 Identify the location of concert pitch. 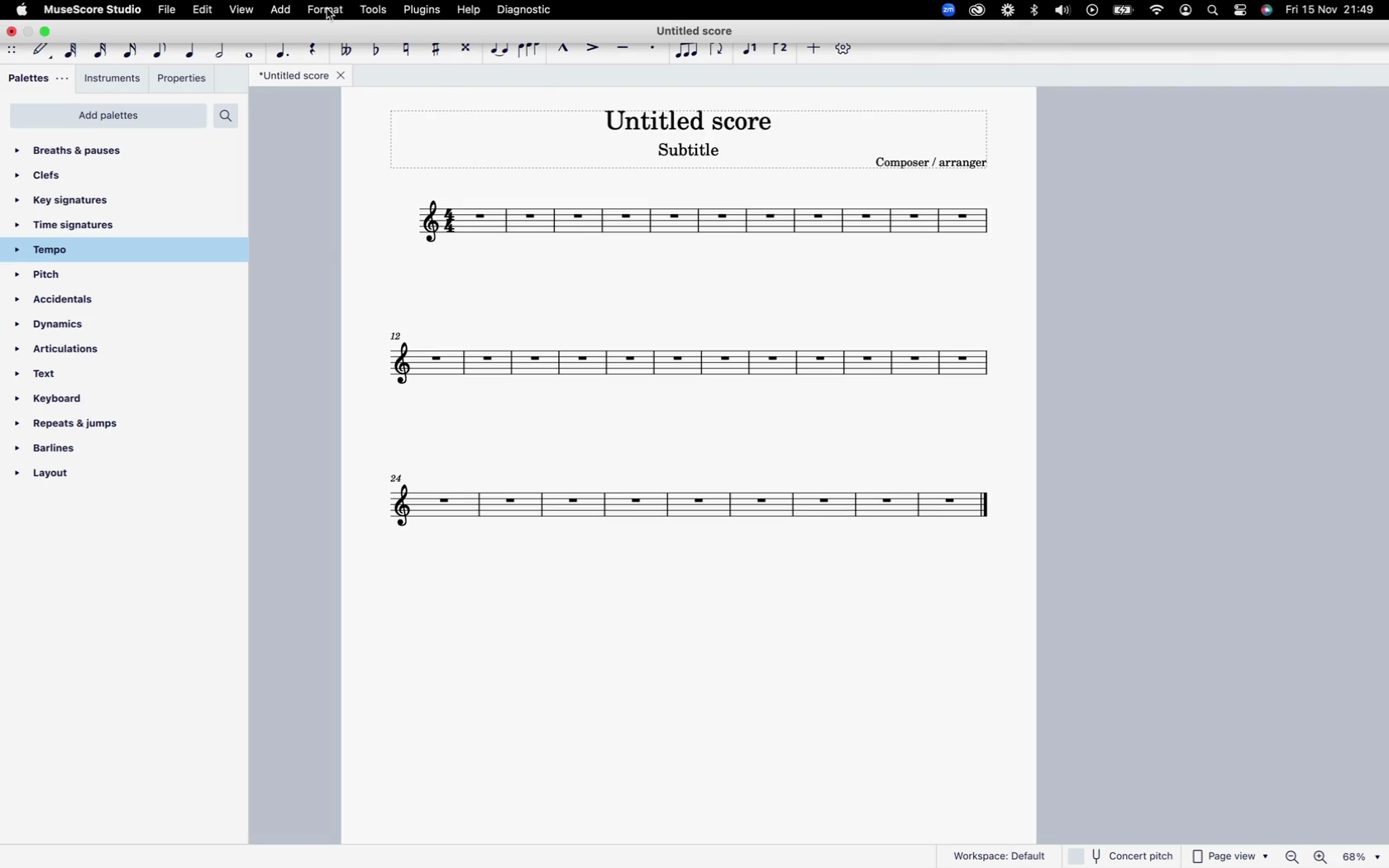
(1122, 855).